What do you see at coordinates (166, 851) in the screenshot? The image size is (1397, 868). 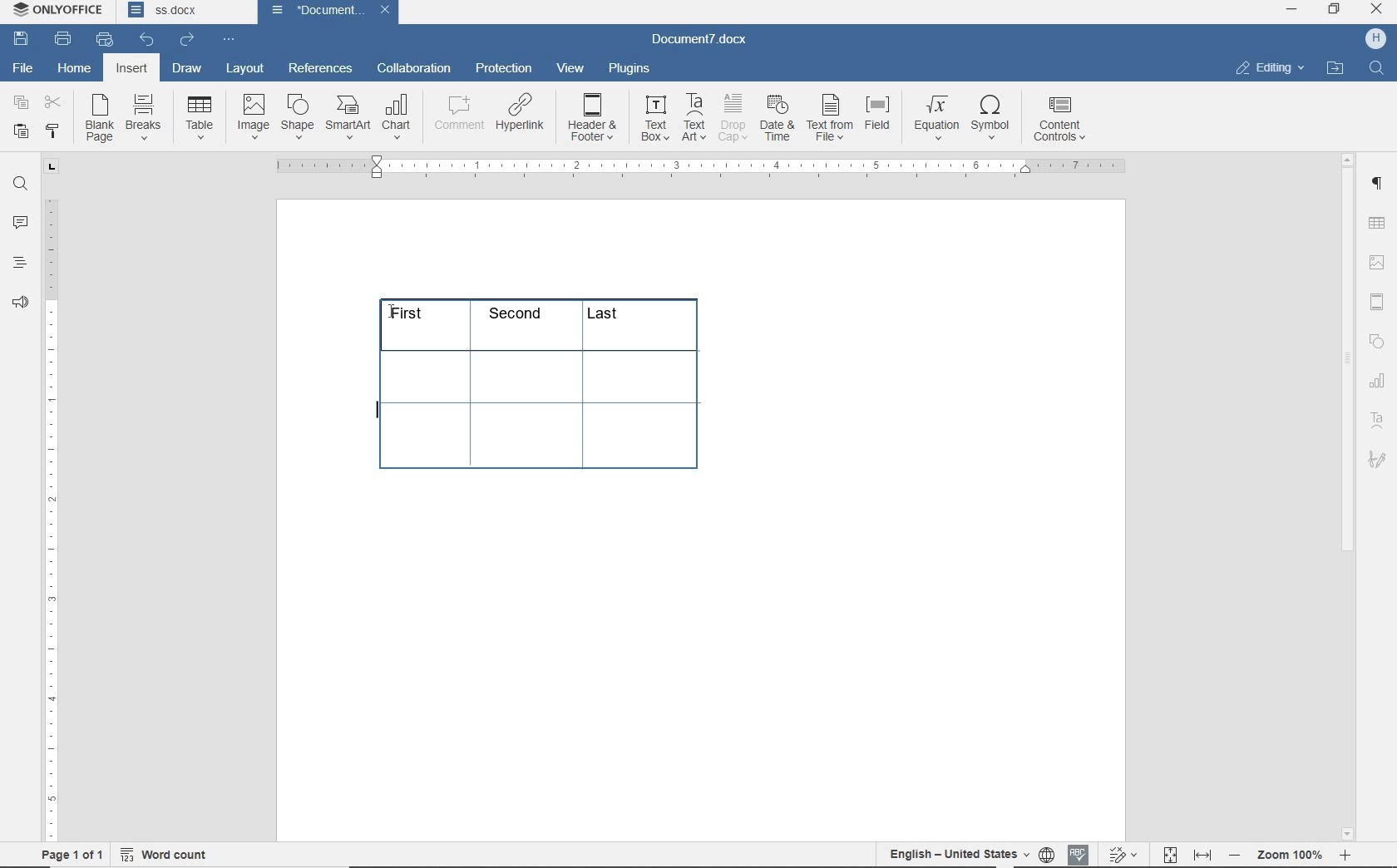 I see `word count` at bounding box center [166, 851].